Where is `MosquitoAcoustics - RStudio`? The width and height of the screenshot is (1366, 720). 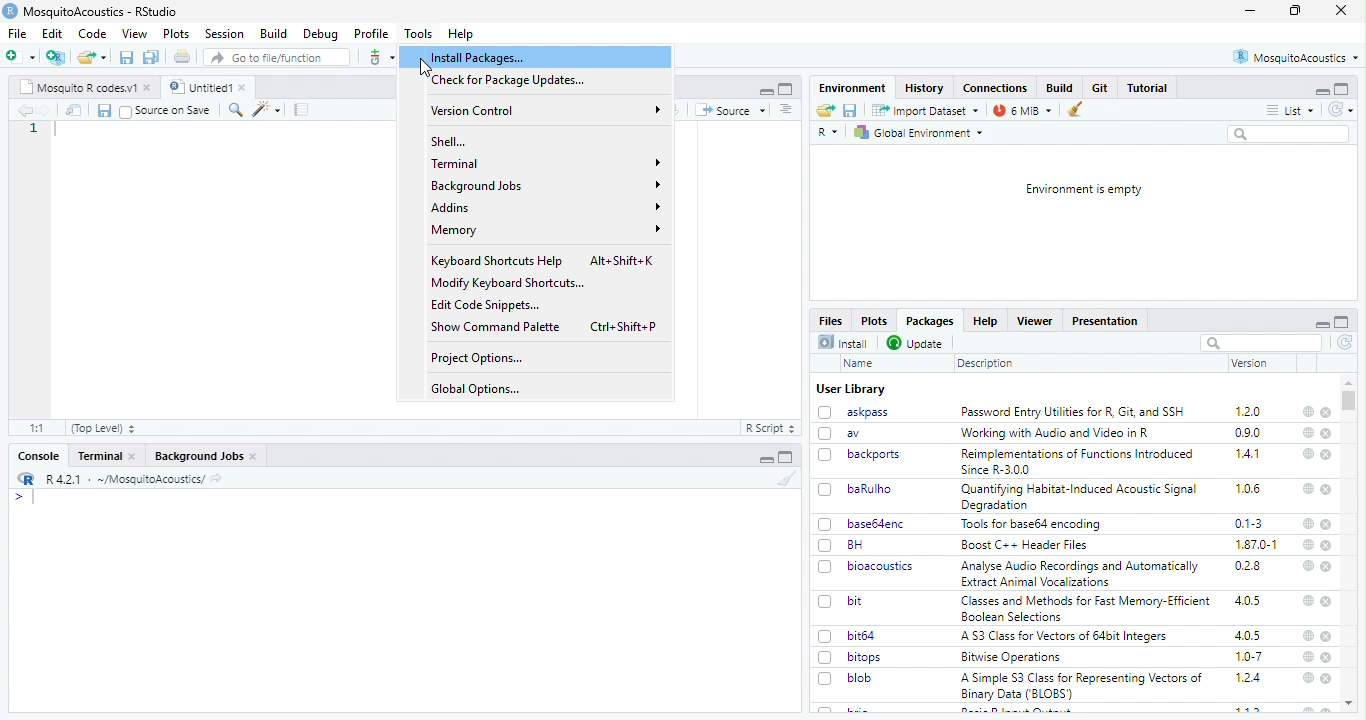 MosquitoAcoustics - RStudio is located at coordinates (101, 12).